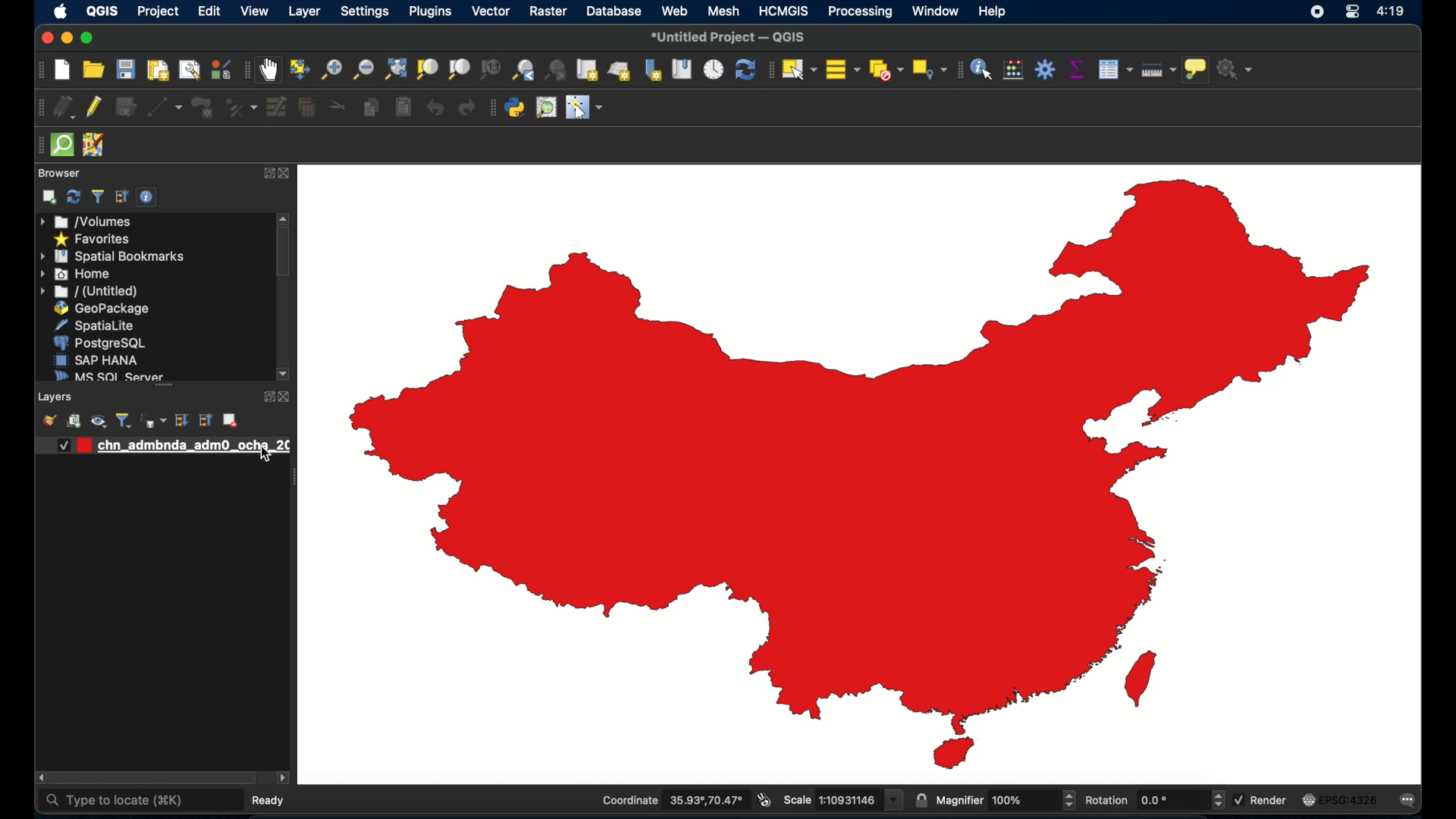  What do you see at coordinates (165, 108) in the screenshot?
I see `digitize with segment` at bounding box center [165, 108].